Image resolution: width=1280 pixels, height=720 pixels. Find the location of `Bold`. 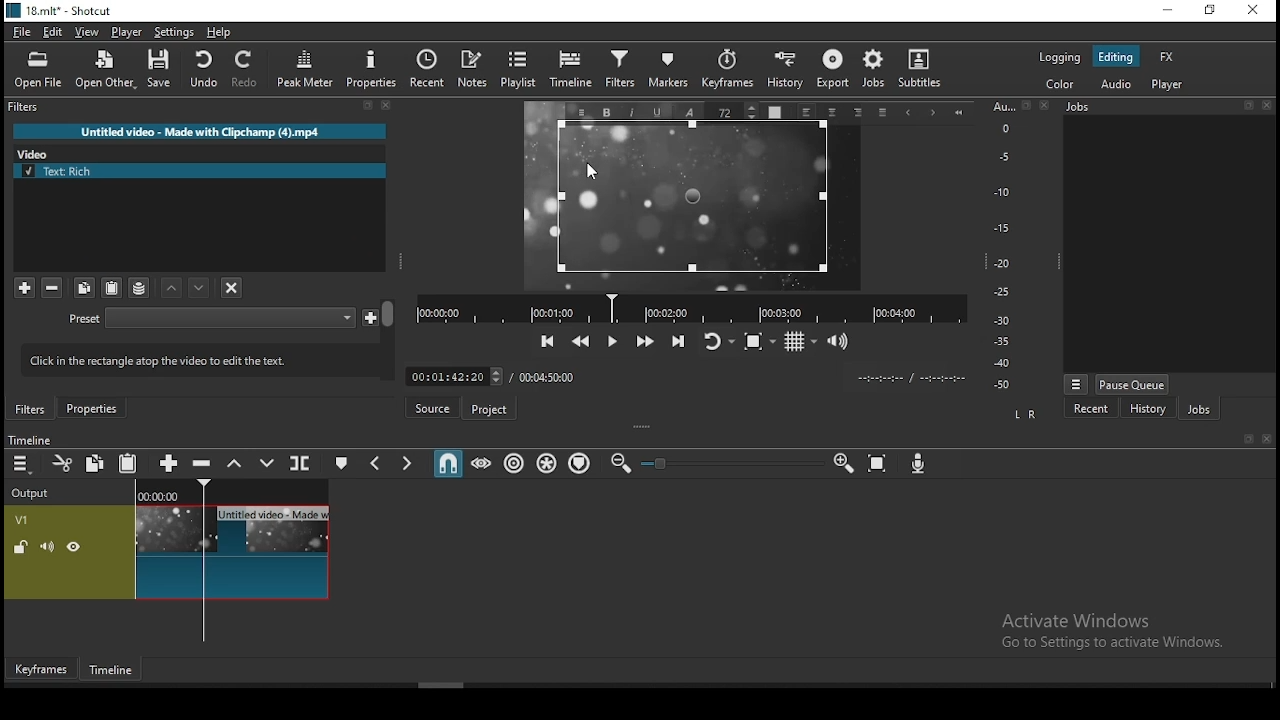

Bold is located at coordinates (606, 113).